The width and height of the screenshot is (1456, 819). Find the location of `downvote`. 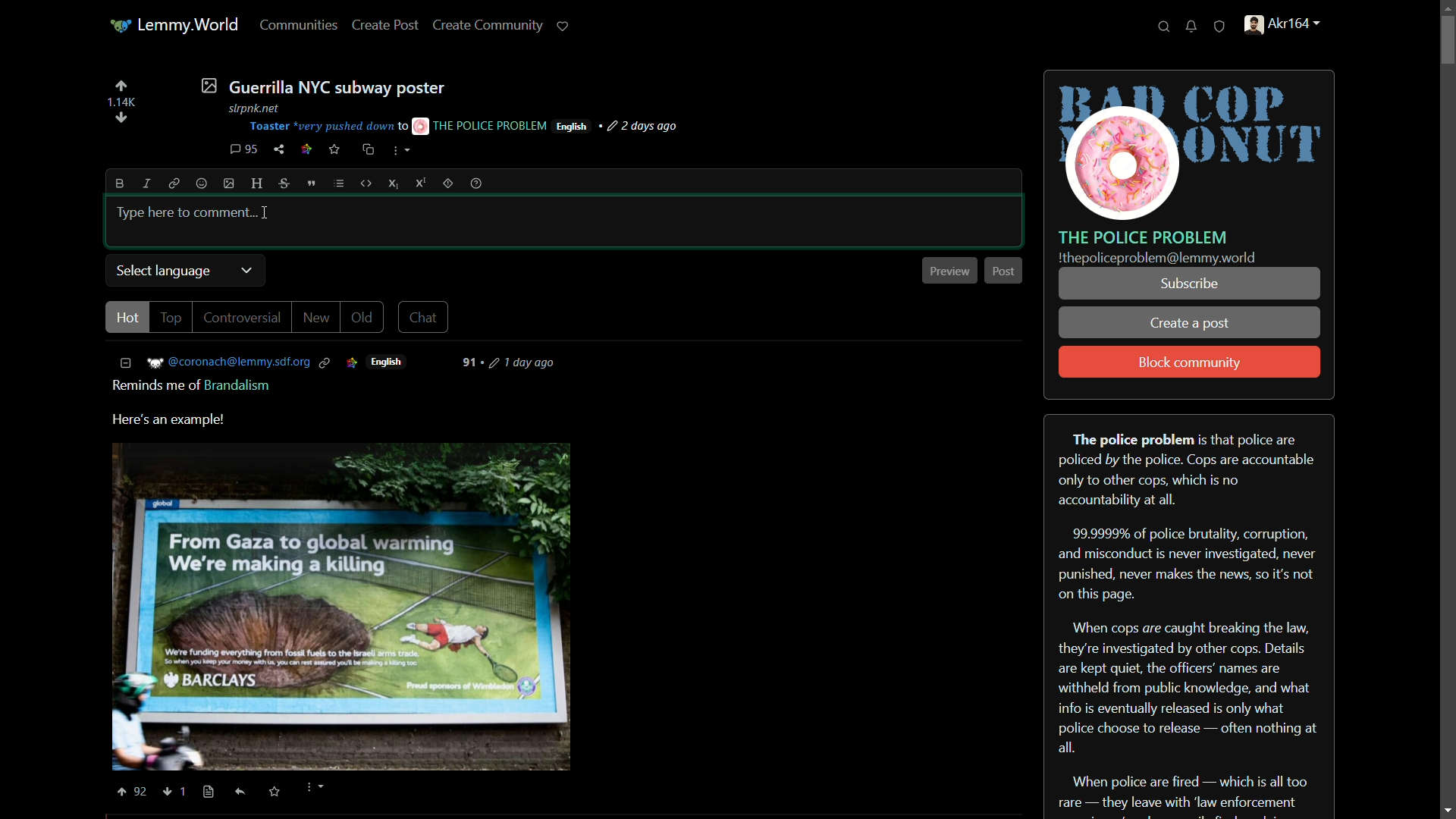

downvote is located at coordinates (176, 792).